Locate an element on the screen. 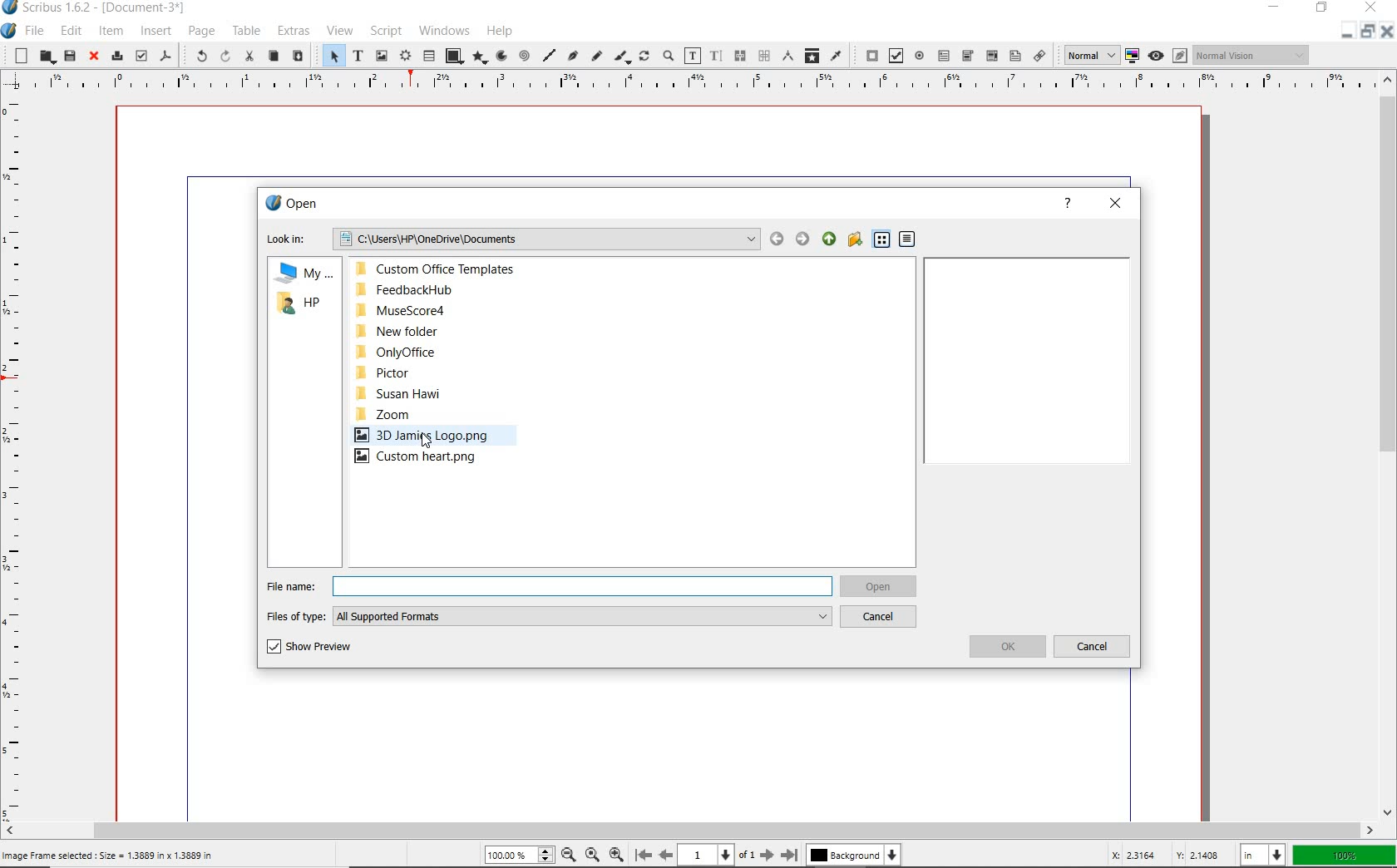 The width and height of the screenshot is (1397, 868). table is located at coordinates (427, 56).